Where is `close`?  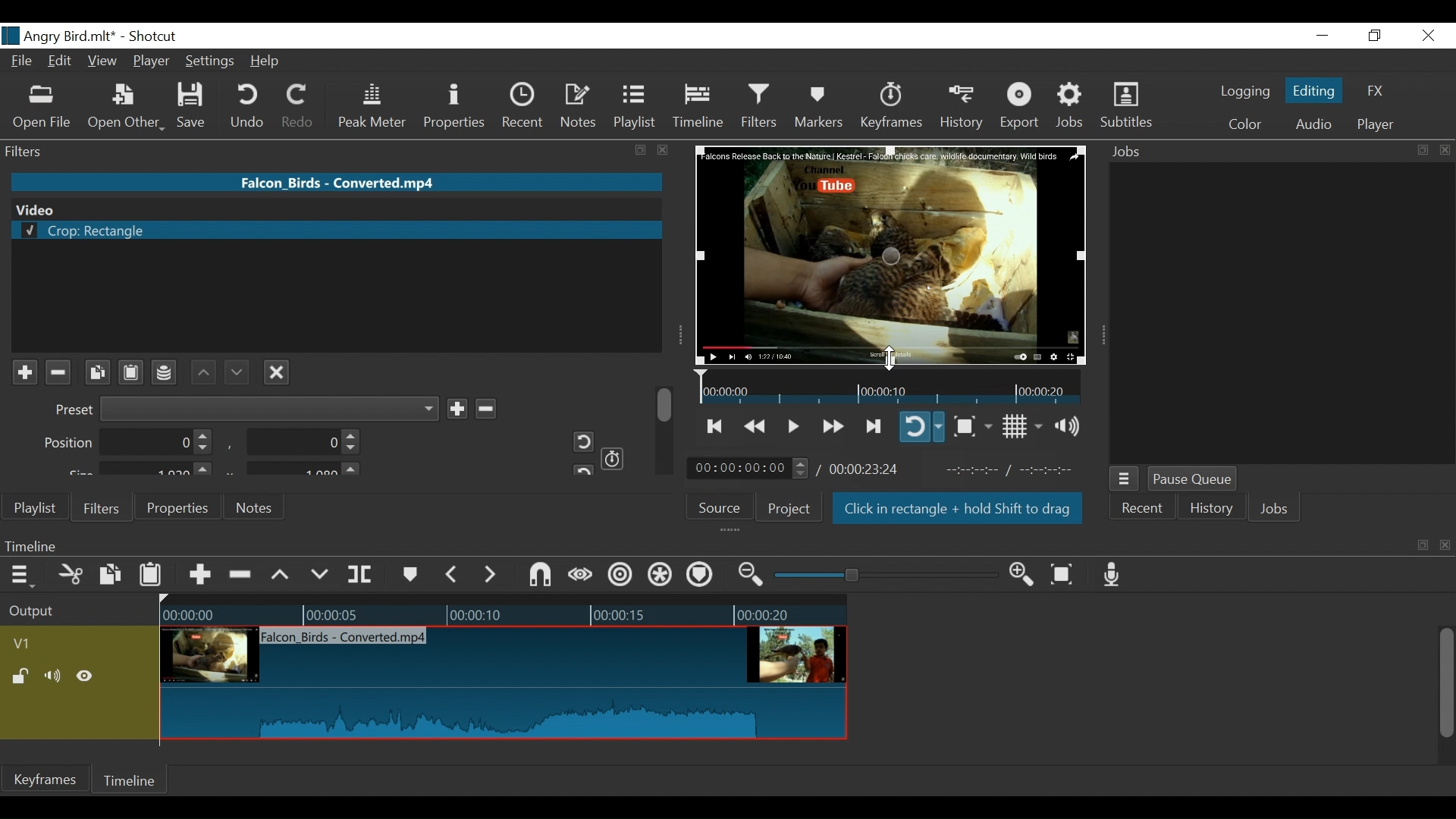
close is located at coordinates (1447, 546).